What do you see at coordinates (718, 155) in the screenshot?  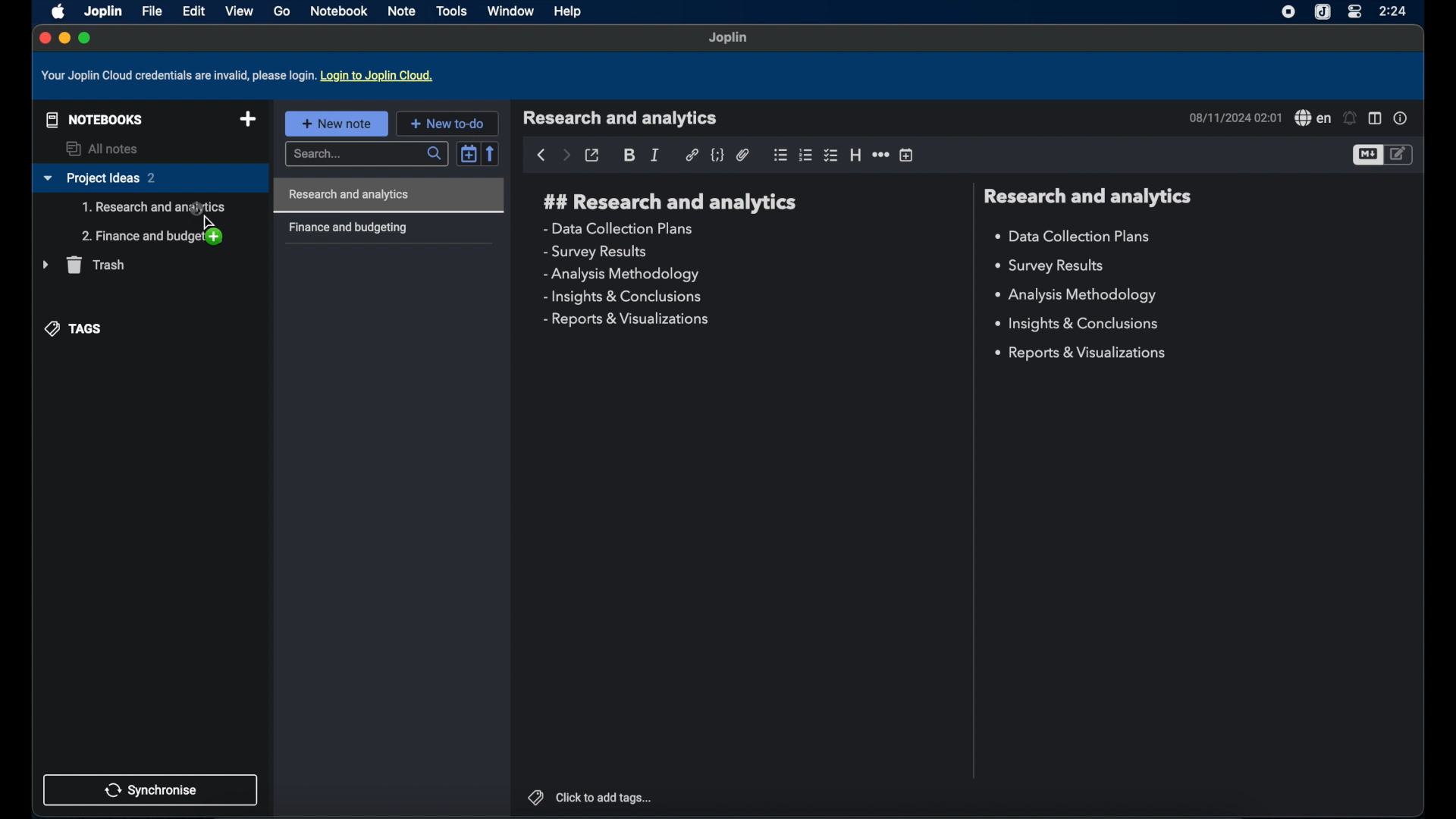 I see `code` at bounding box center [718, 155].